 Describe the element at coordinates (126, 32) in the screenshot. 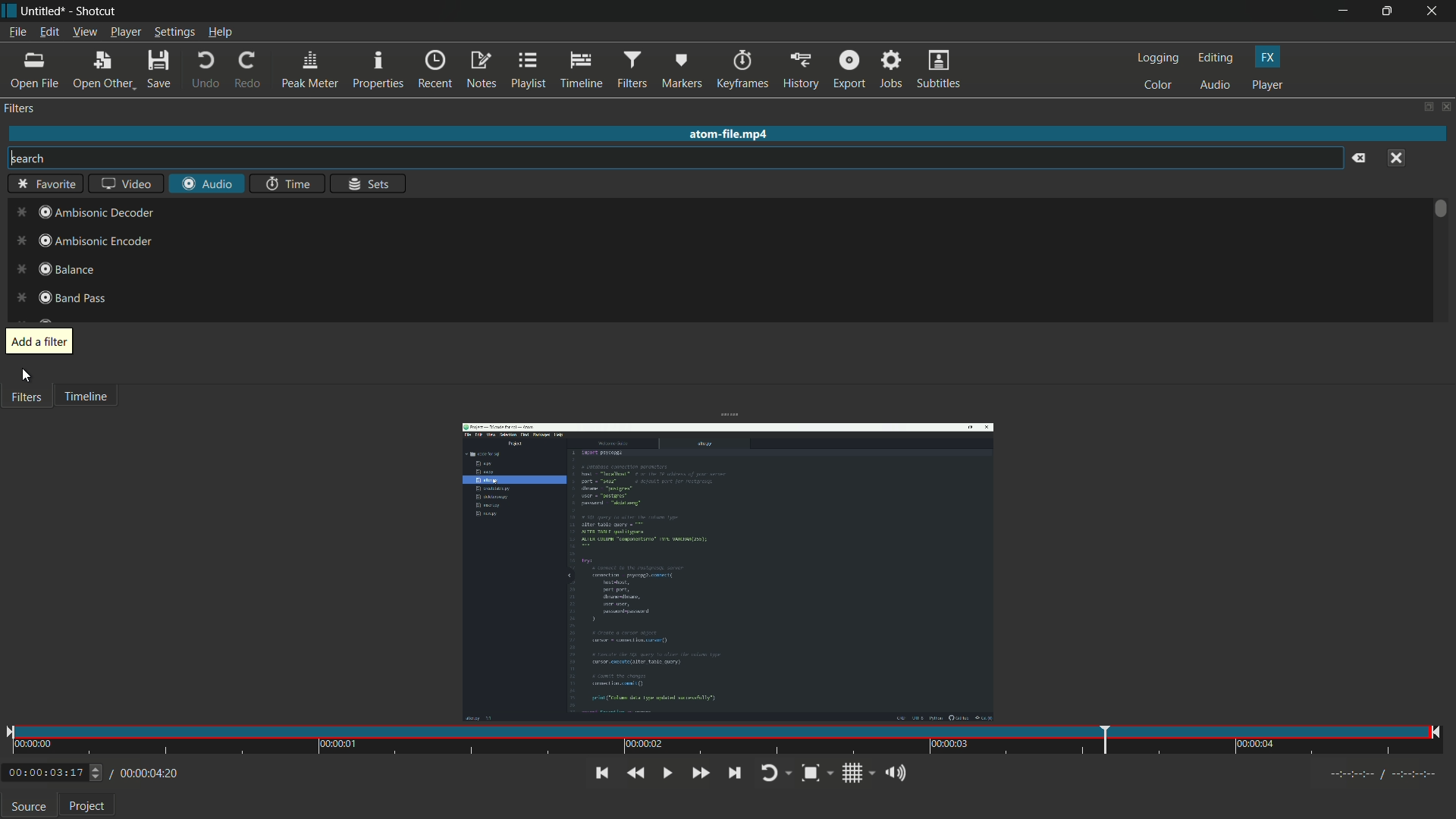

I see `player menu` at that location.